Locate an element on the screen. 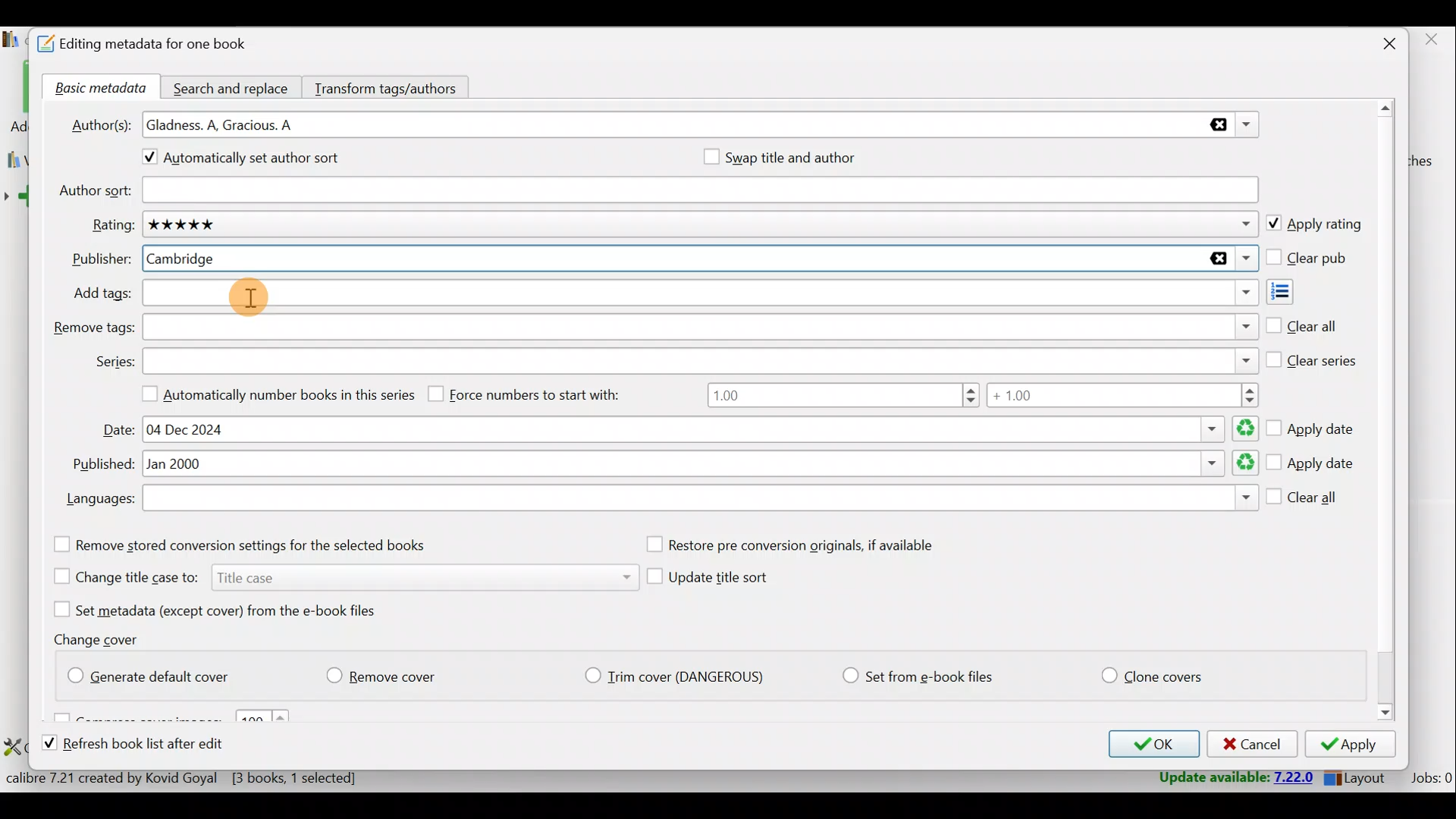  Publisher: is located at coordinates (102, 259).